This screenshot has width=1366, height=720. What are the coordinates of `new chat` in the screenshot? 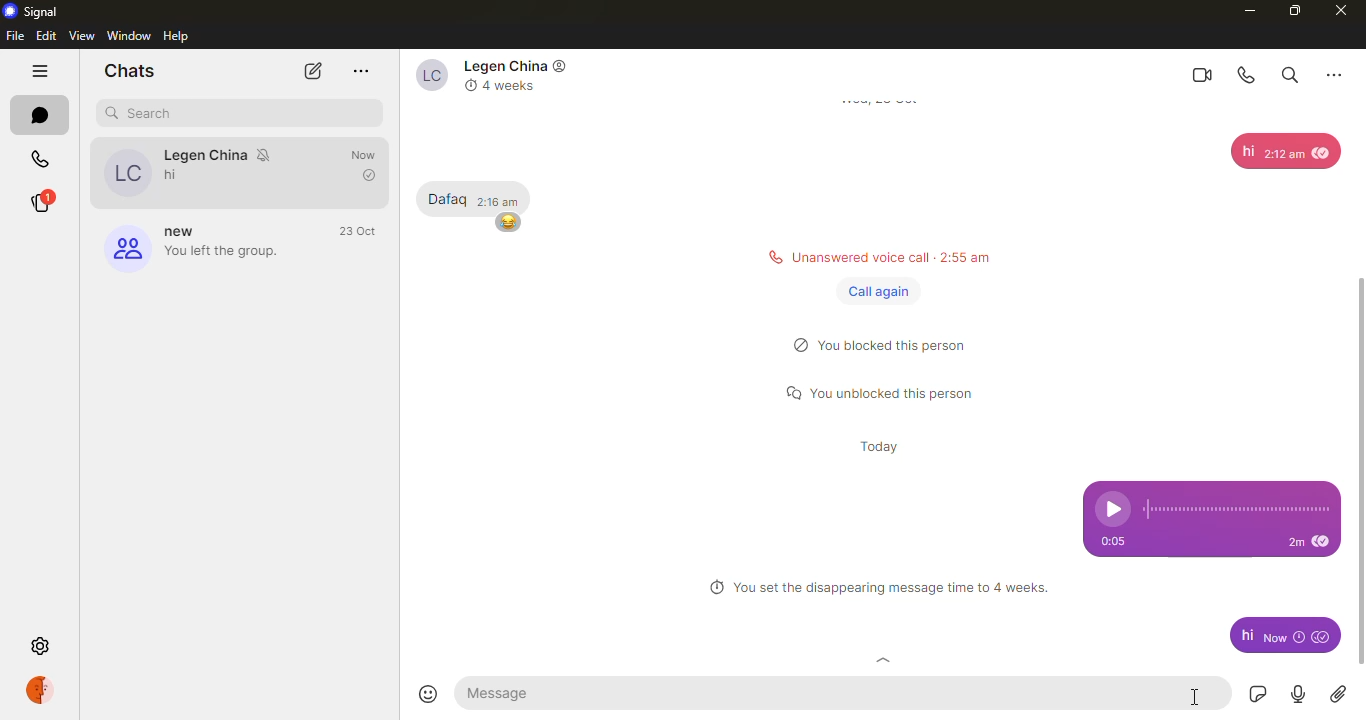 It's located at (310, 71).